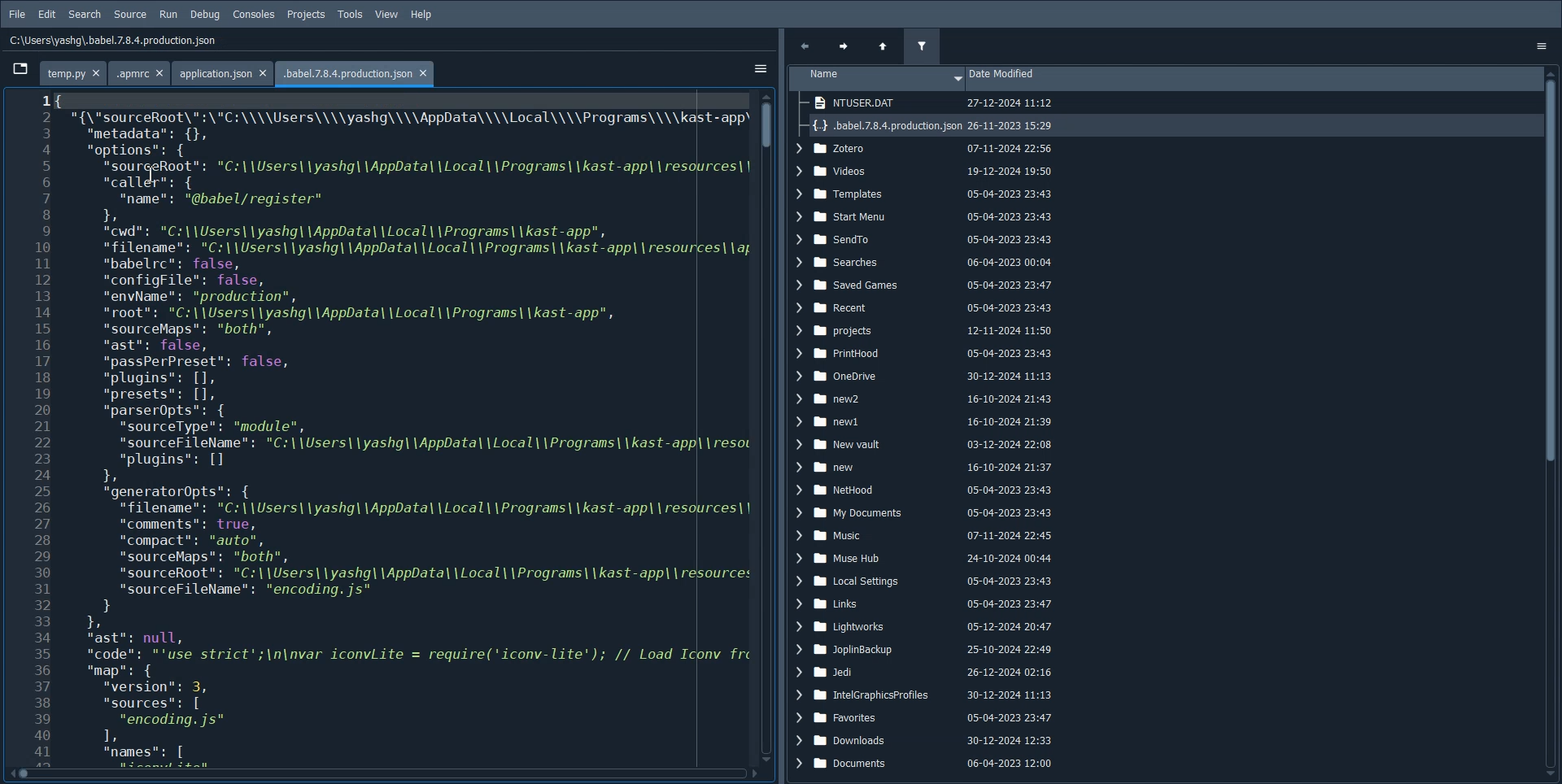  I want to click on Name, so click(877, 79).